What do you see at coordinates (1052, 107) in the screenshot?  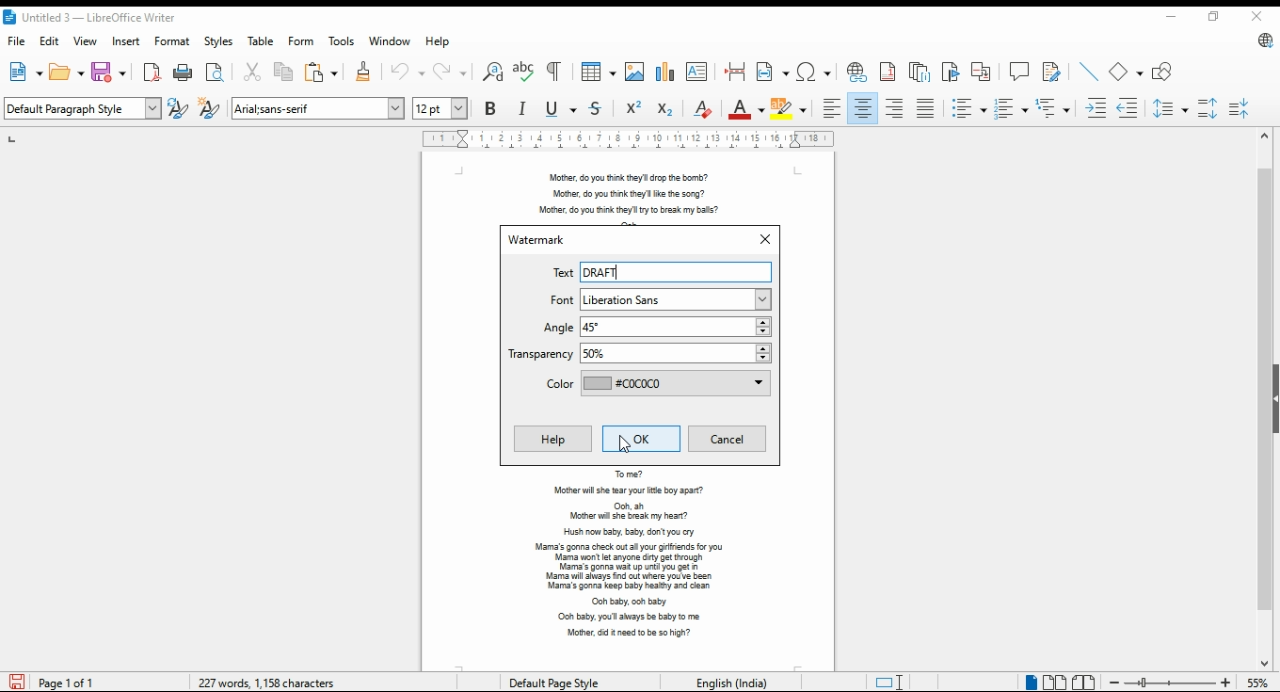 I see `select outline format` at bounding box center [1052, 107].